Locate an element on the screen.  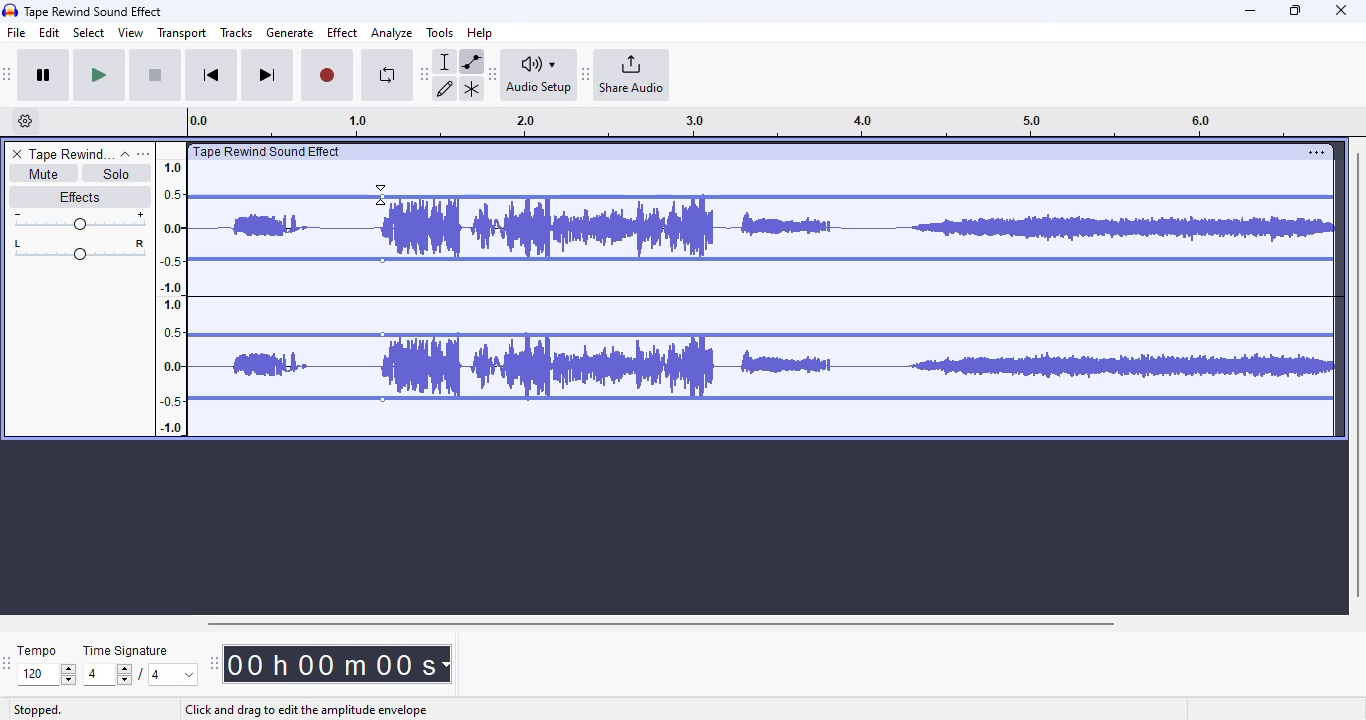
horizontal scroll bar is located at coordinates (660, 623).